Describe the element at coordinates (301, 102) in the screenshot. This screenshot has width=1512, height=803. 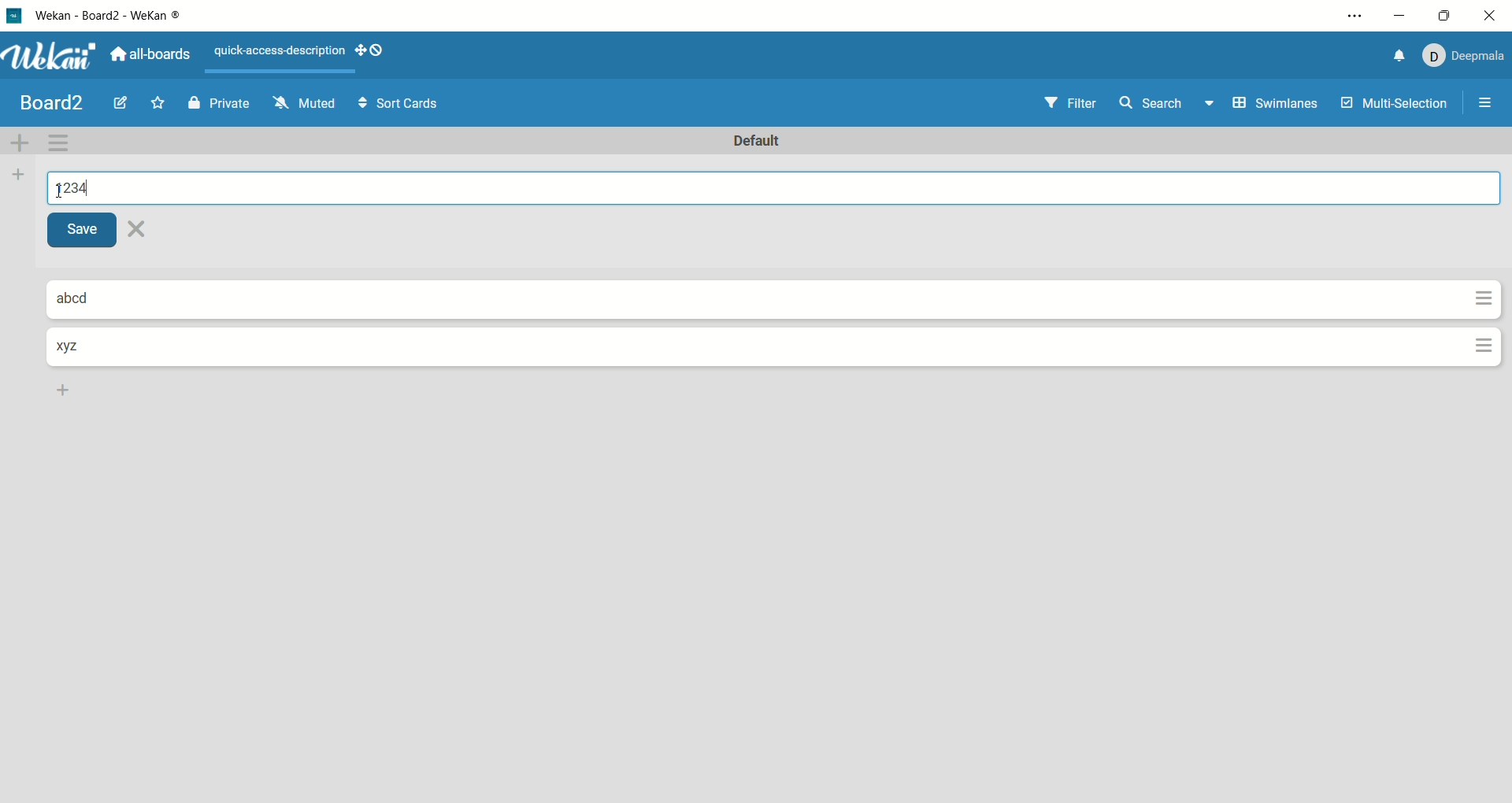
I see `muted` at that location.